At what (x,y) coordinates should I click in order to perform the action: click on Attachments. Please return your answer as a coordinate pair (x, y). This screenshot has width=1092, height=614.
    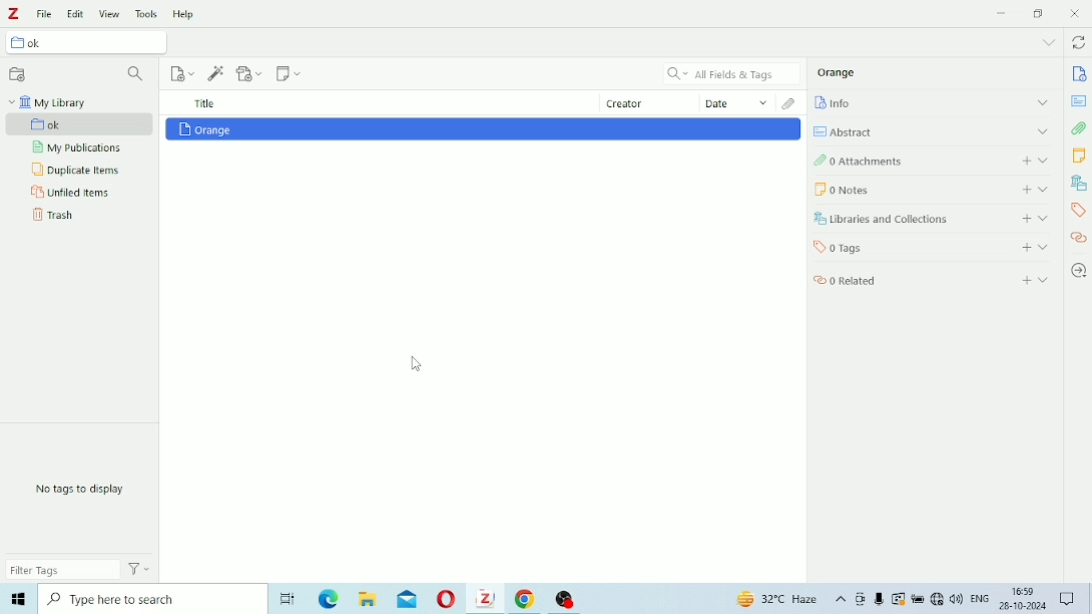
    Looking at the image, I should click on (929, 159).